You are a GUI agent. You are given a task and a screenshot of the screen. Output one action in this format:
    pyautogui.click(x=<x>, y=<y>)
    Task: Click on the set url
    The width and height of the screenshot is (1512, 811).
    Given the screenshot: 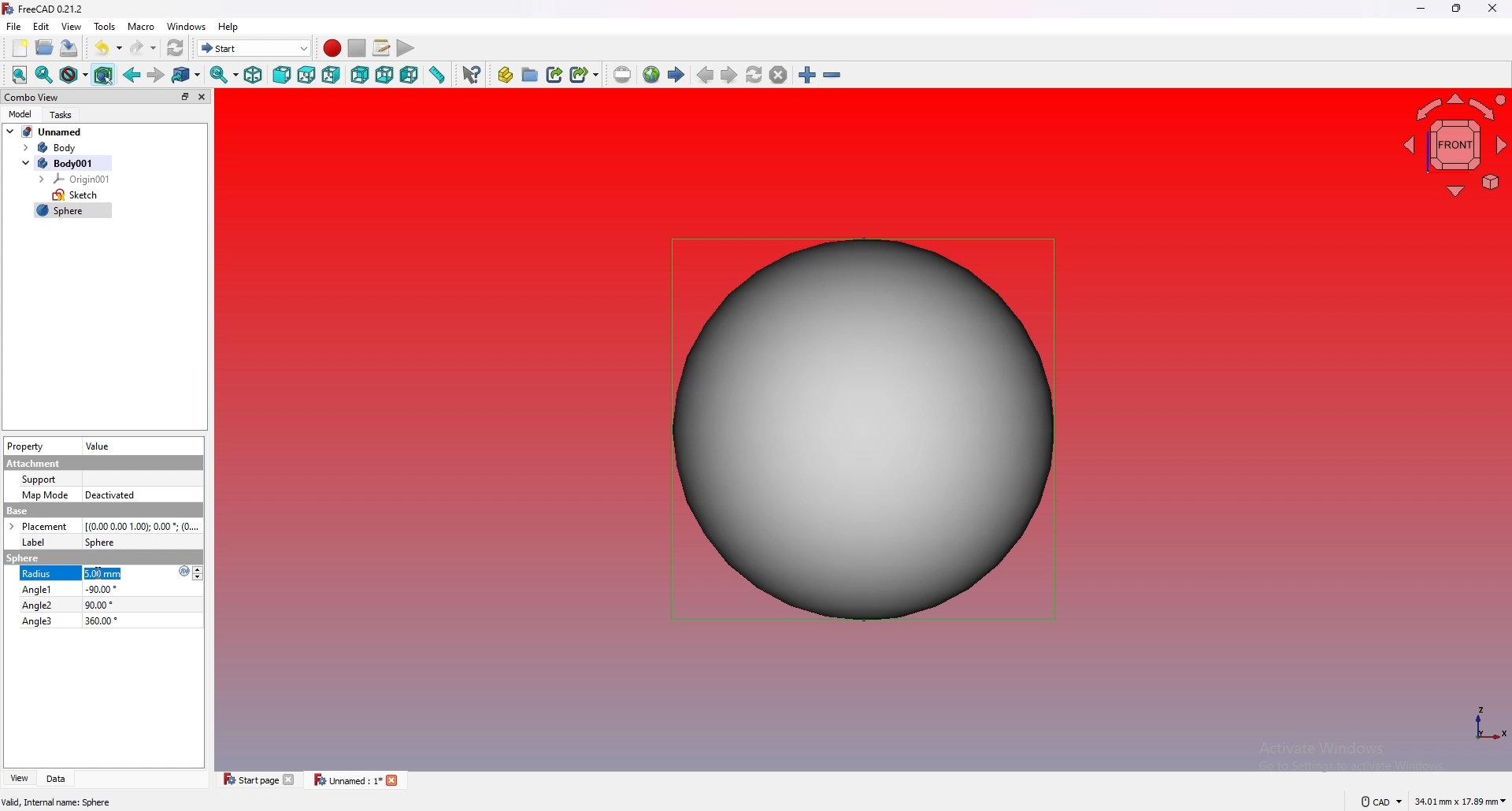 What is the action you would take?
    pyautogui.click(x=622, y=75)
    